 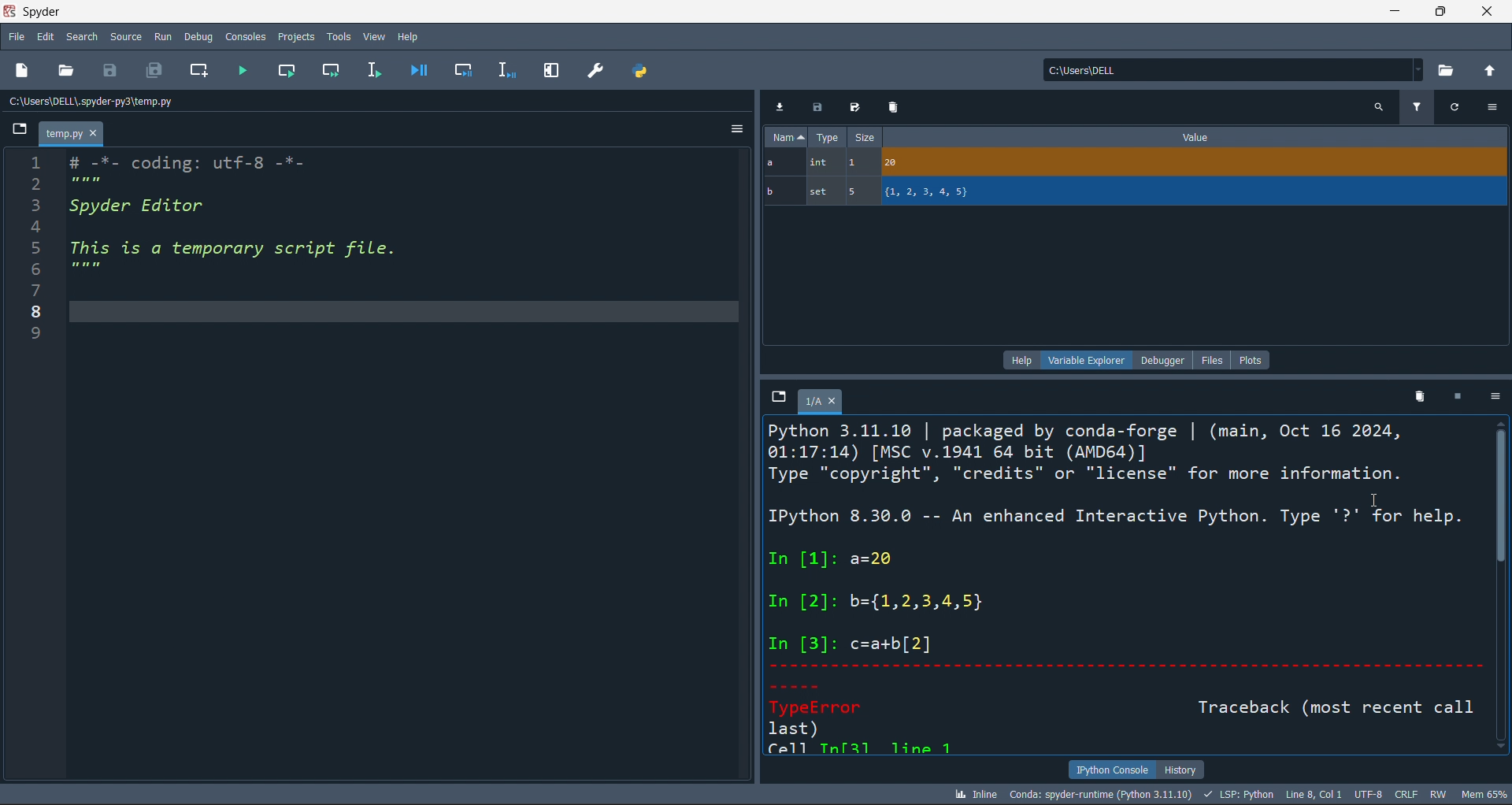 I want to click on delete, so click(x=1417, y=395).